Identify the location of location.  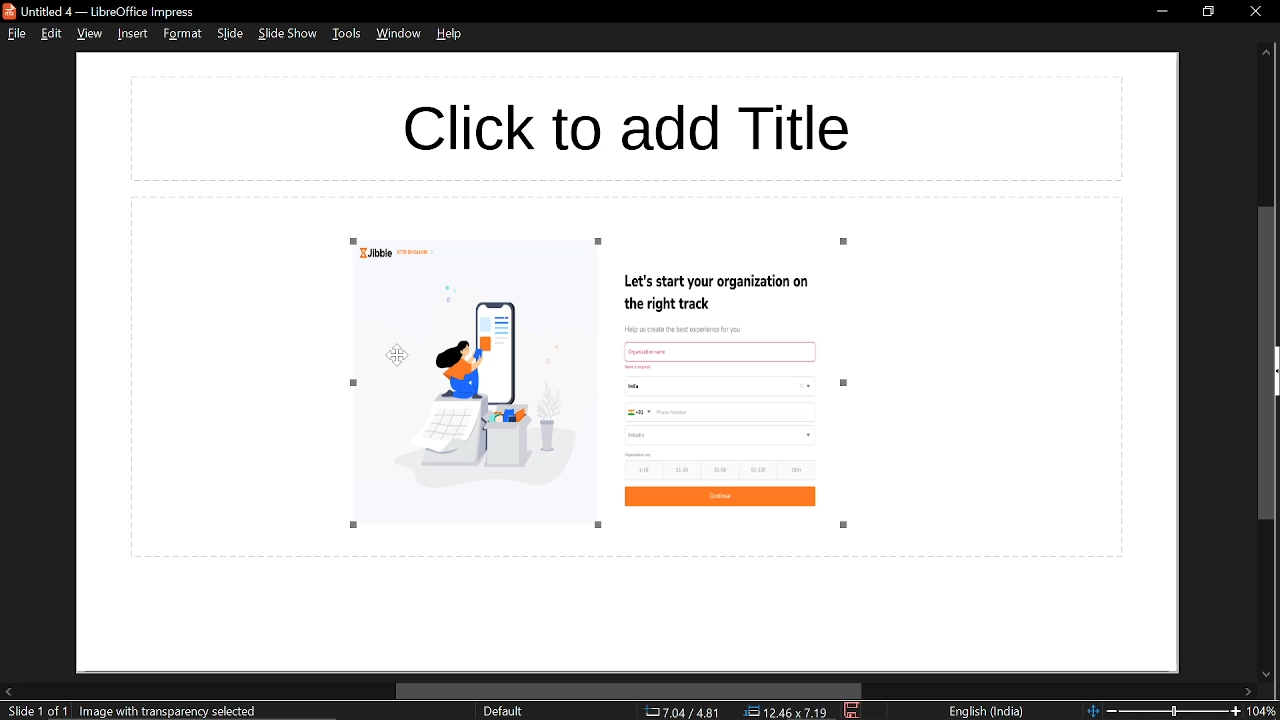
(789, 712).